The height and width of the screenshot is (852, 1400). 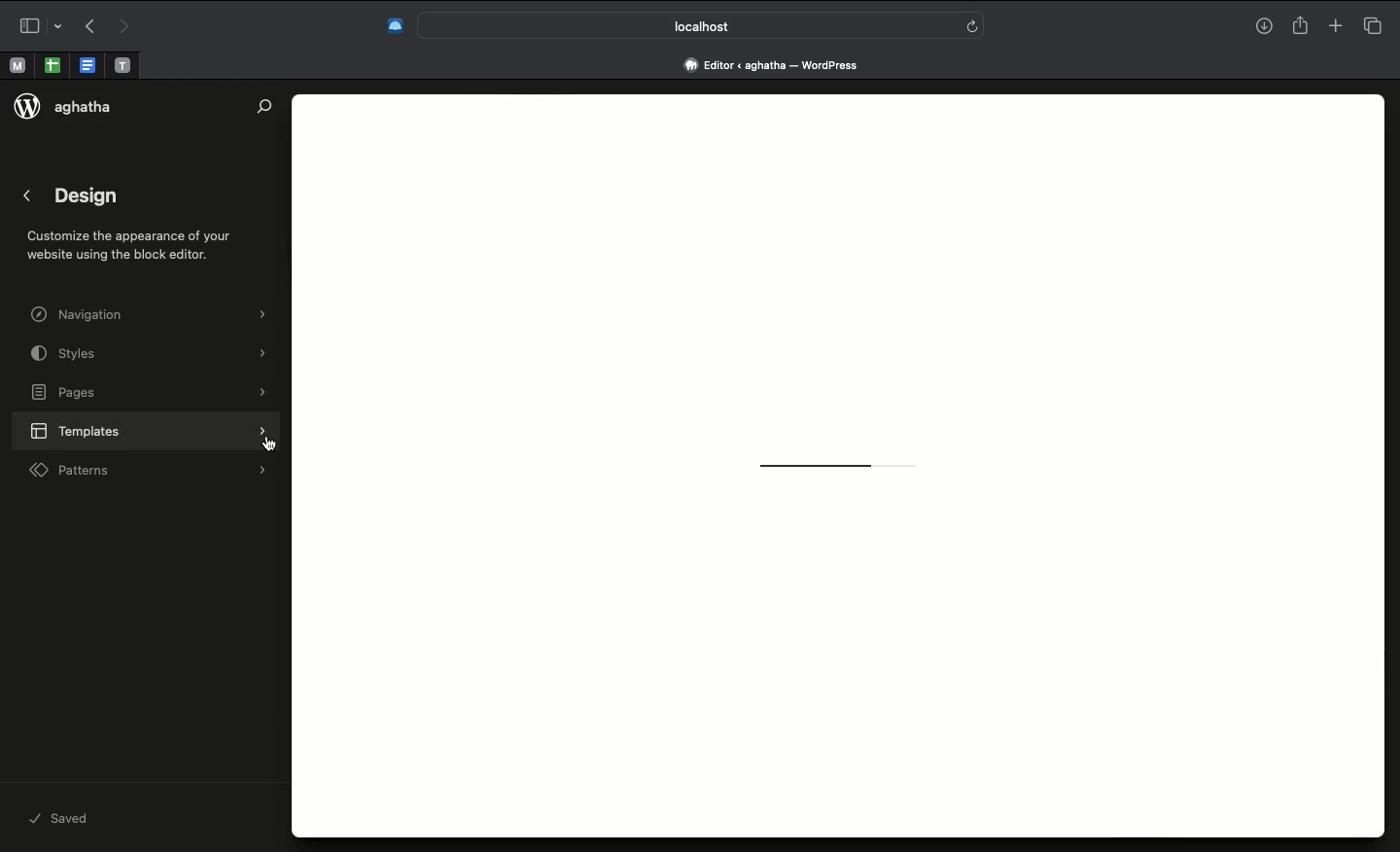 I want to click on cursor, so click(x=269, y=446).